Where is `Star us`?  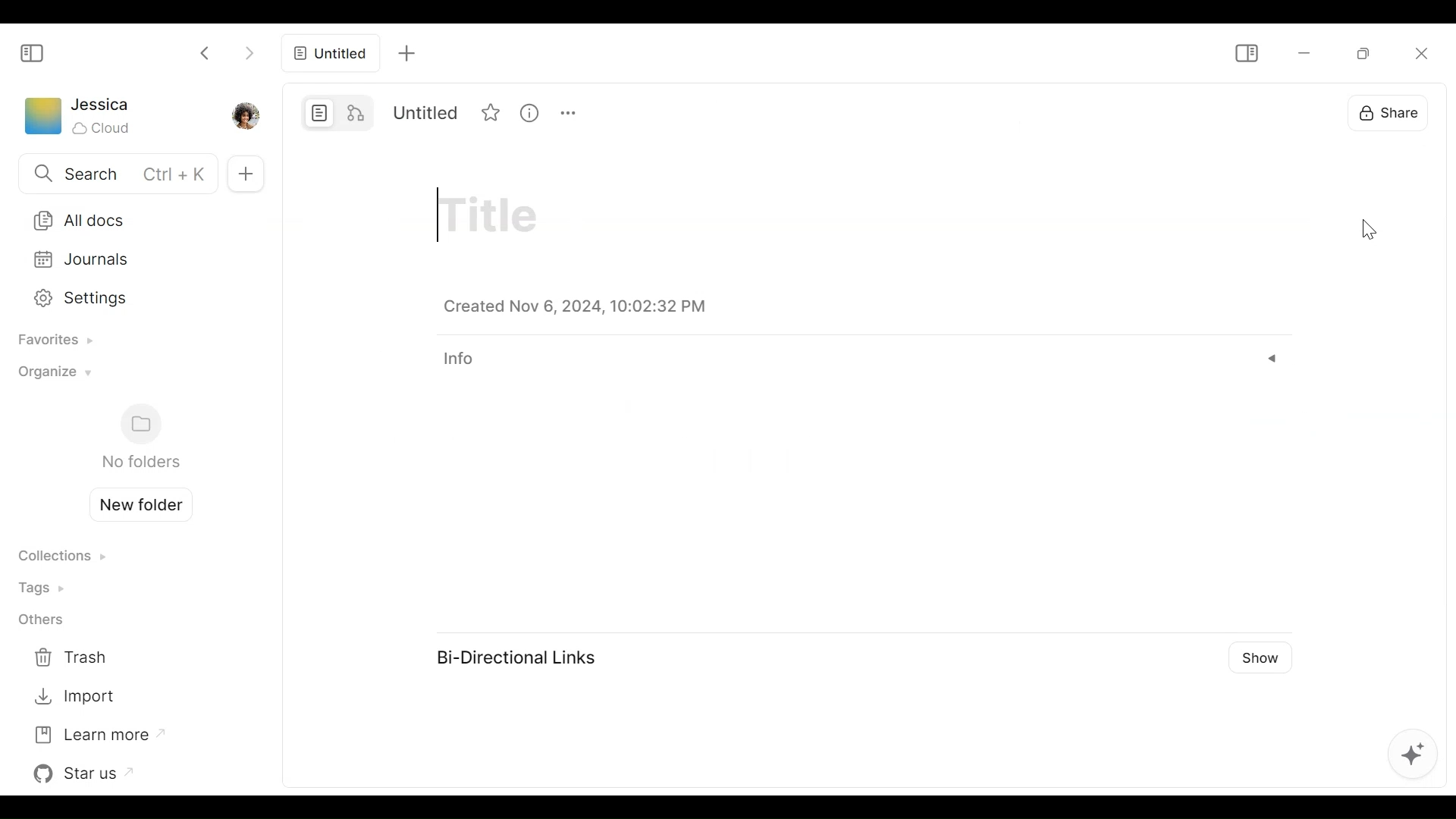
Star us is located at coordinates (87, 773).